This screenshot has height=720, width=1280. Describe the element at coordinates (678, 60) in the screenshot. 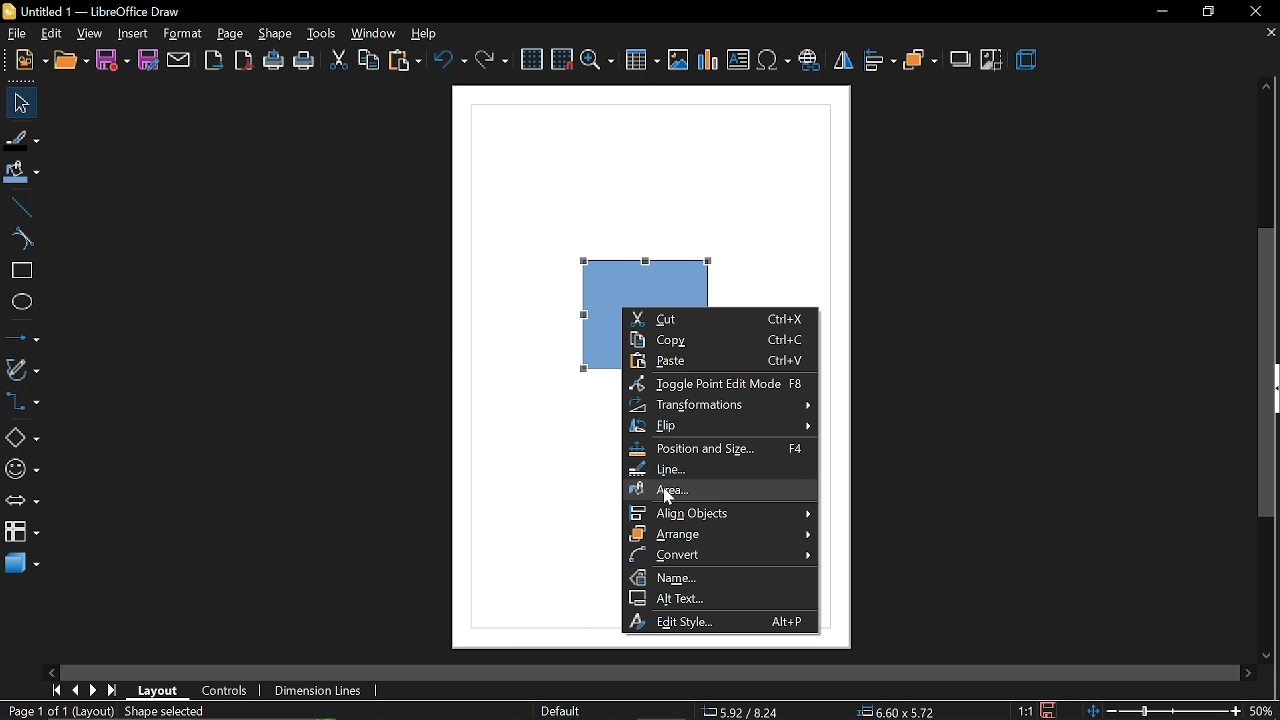

I see `Insert image` at that location.